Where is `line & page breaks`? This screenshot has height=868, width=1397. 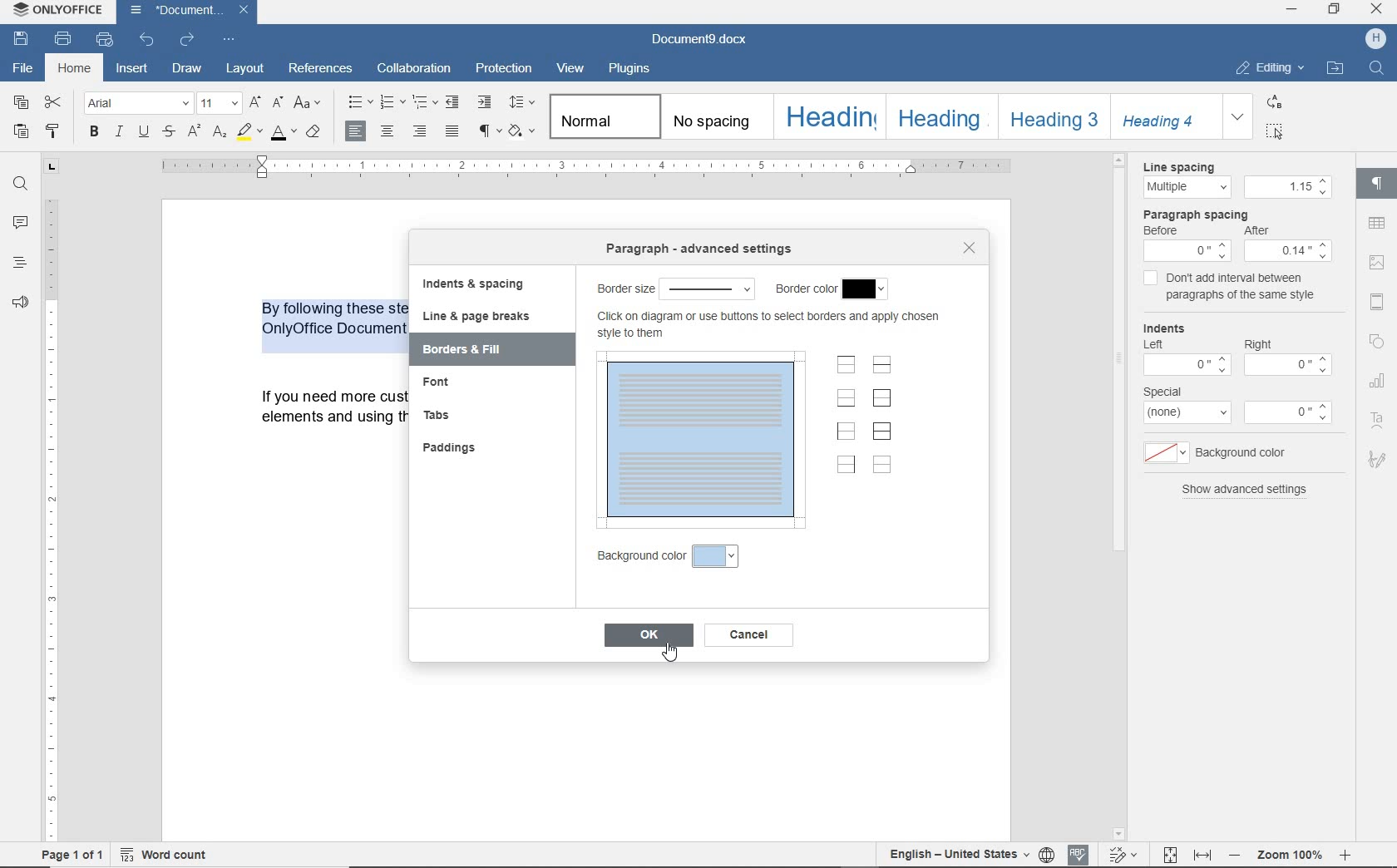 line & page breaks is located at coordinates (482, 317).